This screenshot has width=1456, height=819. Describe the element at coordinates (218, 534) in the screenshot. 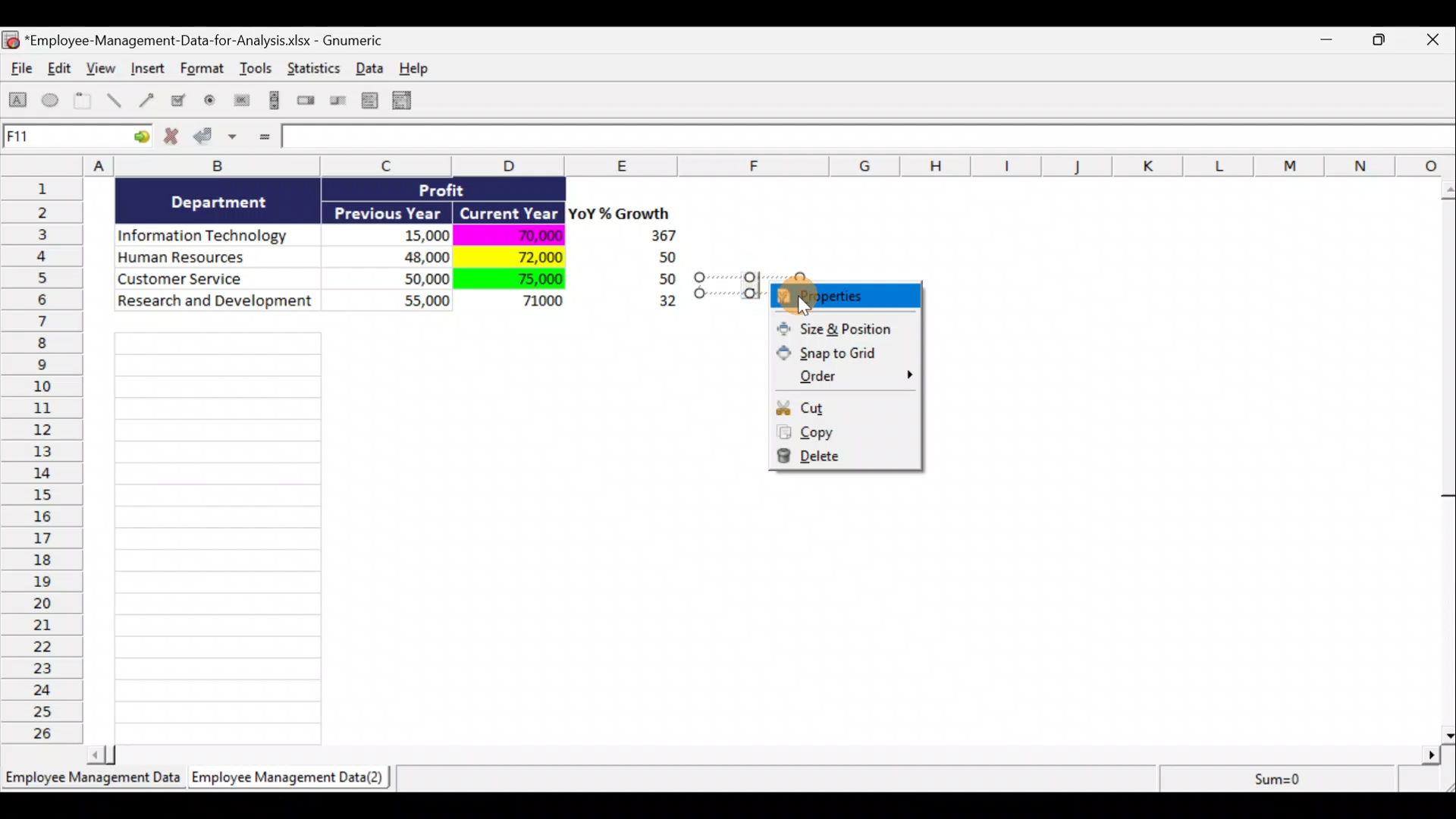

I see `Cells` at that location.